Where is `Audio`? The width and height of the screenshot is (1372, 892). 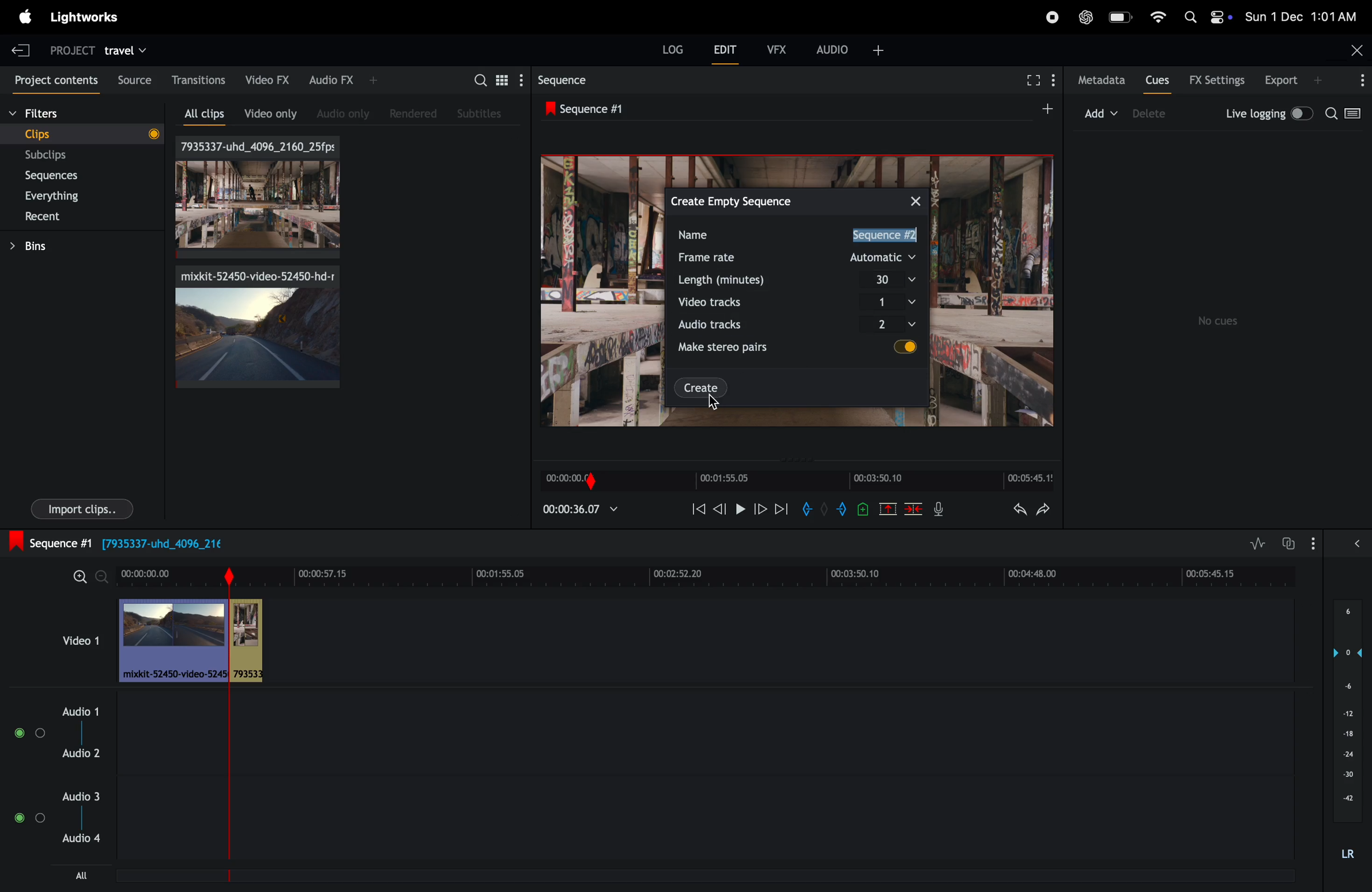 Audio is located at coordinates (26, 734).